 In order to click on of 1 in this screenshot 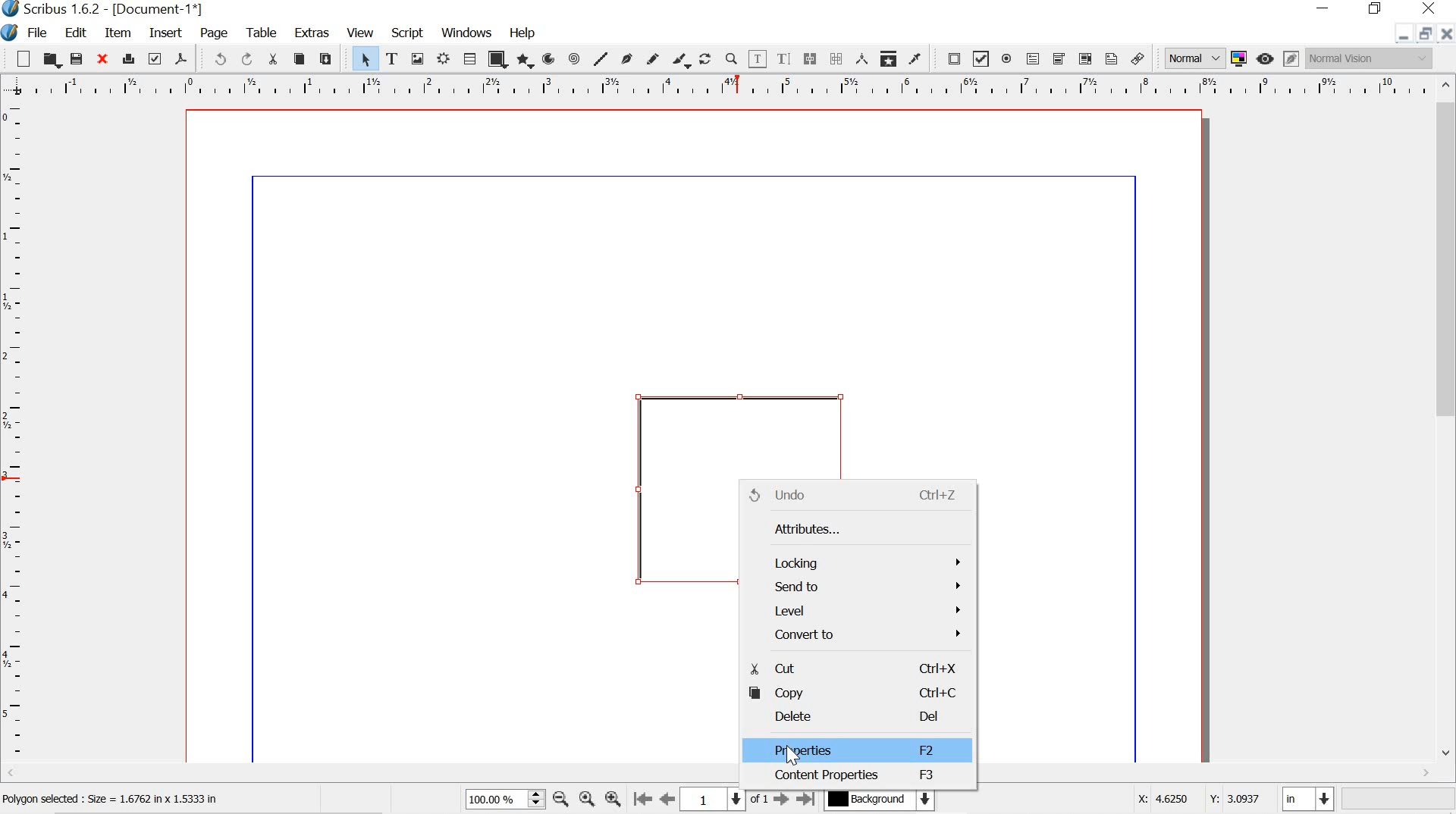, I will do `click(760, 800)`.